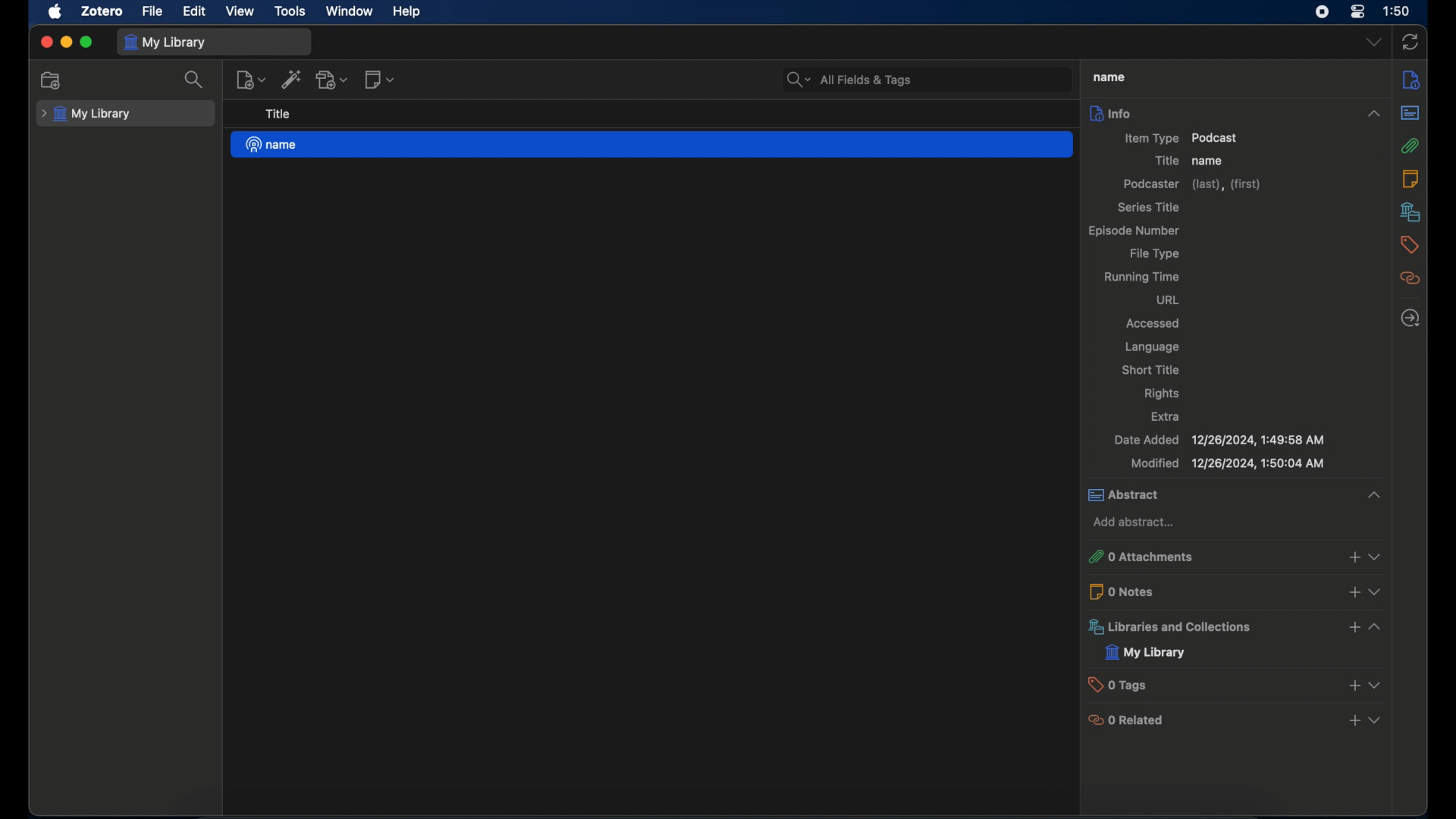  Describe the element at coordinates (350, 11) in the screenshot. I see `window` at that location.